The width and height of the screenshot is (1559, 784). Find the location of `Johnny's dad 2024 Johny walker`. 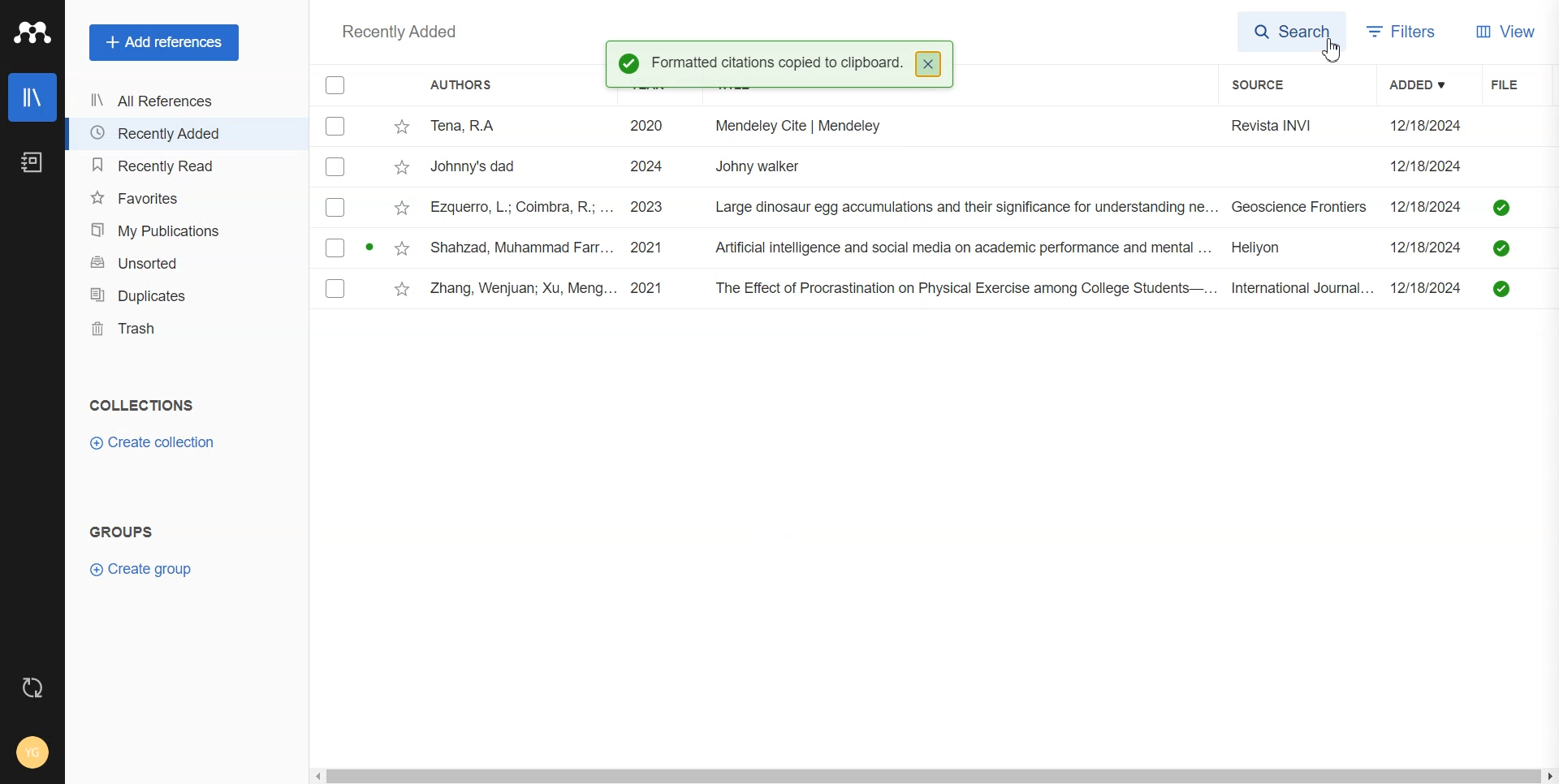

Johnny's dad 2024 Johny walker is located at coordinates (901, 169).